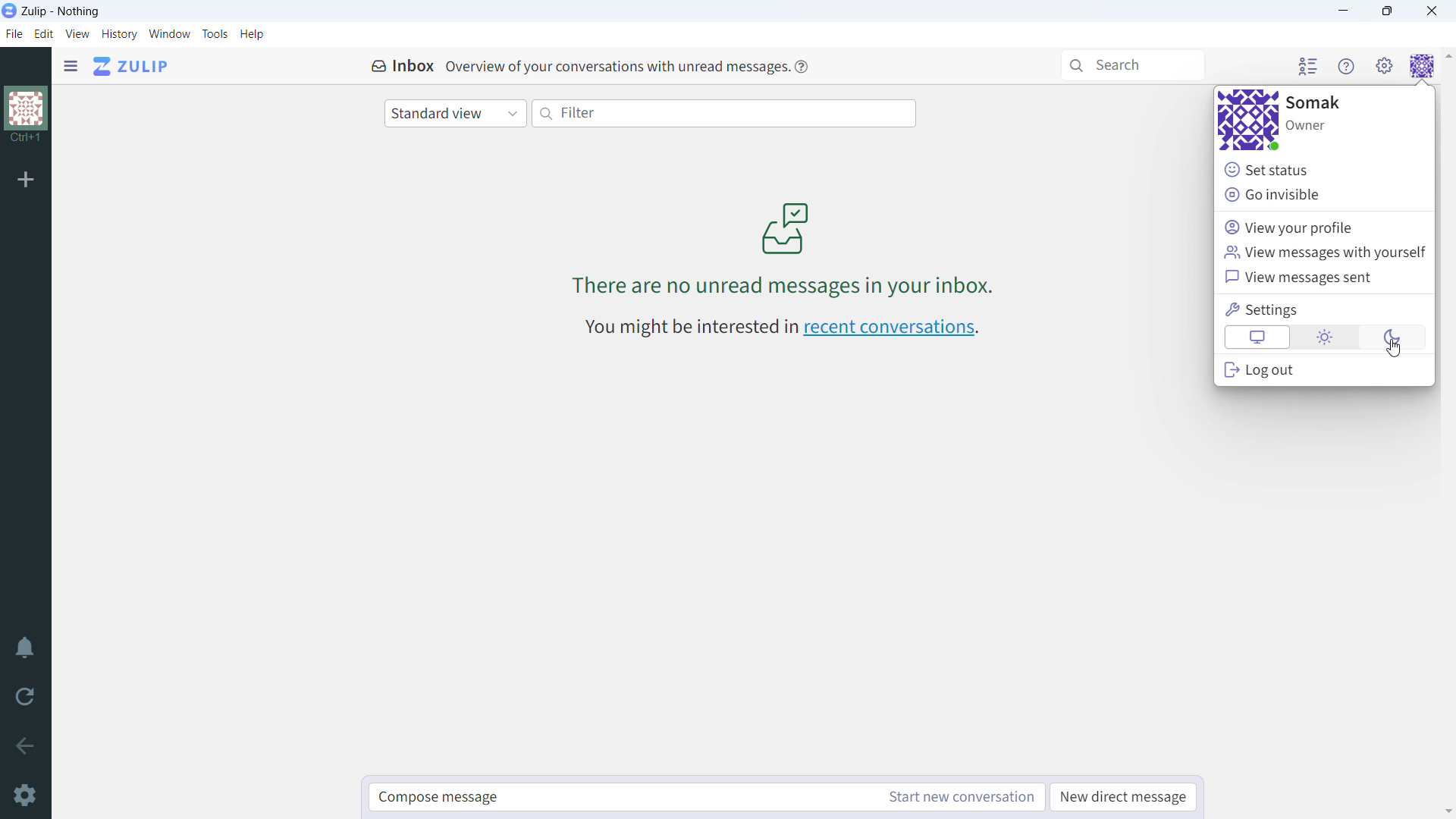 The width and height of the screenshot is (1456, 819). I want to click on title, so click(61, 12).